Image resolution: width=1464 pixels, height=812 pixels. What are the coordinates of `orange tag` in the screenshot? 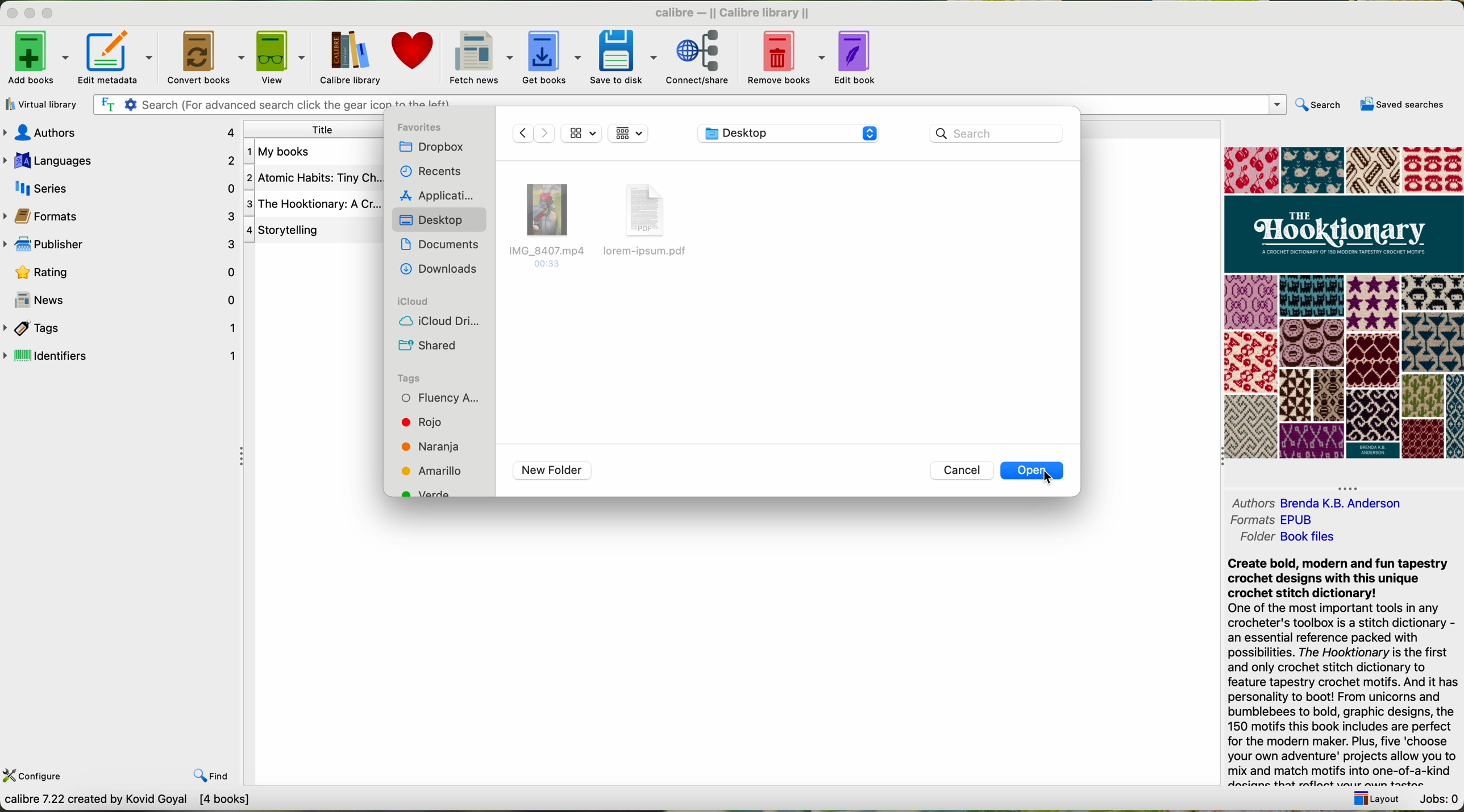 It's located at (430, 448).